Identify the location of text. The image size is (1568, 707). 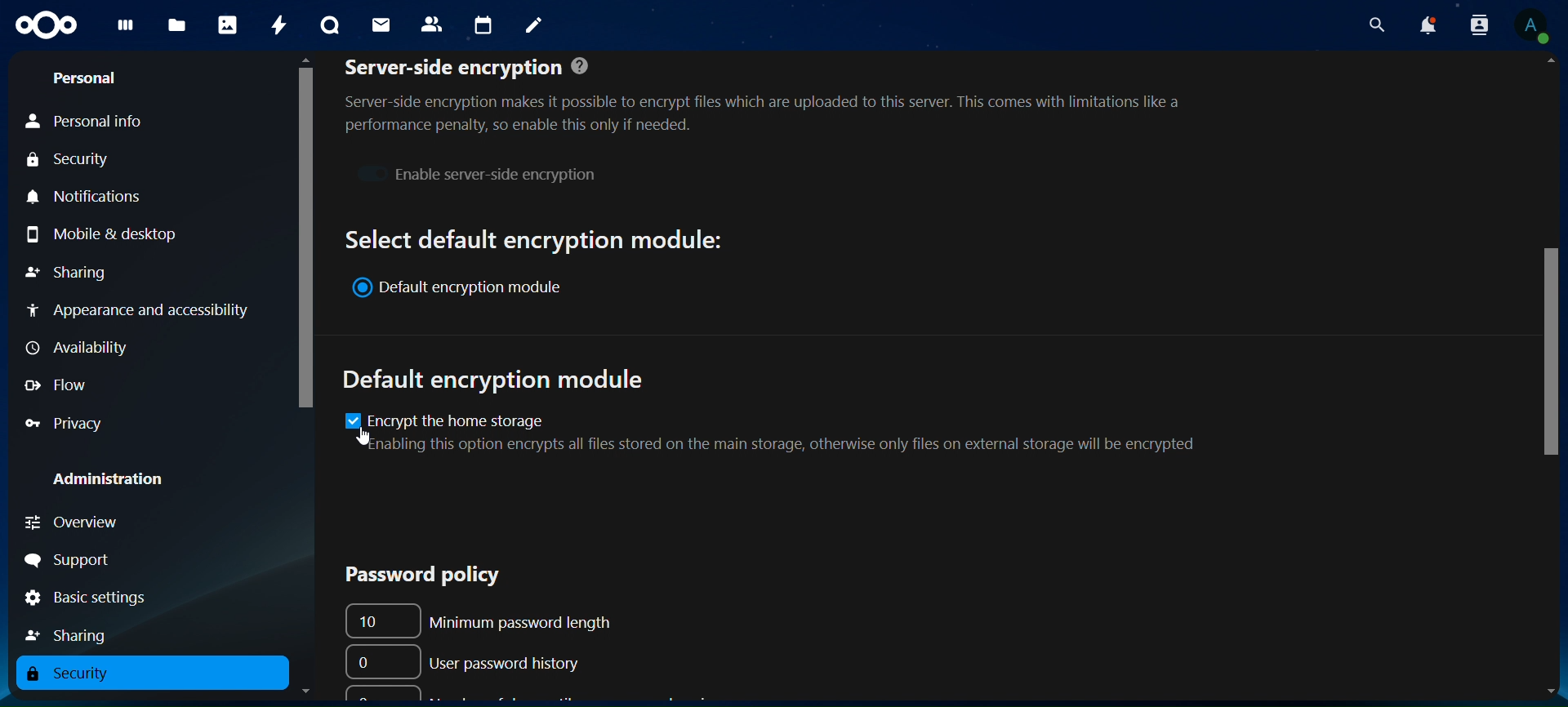
(535, 238).